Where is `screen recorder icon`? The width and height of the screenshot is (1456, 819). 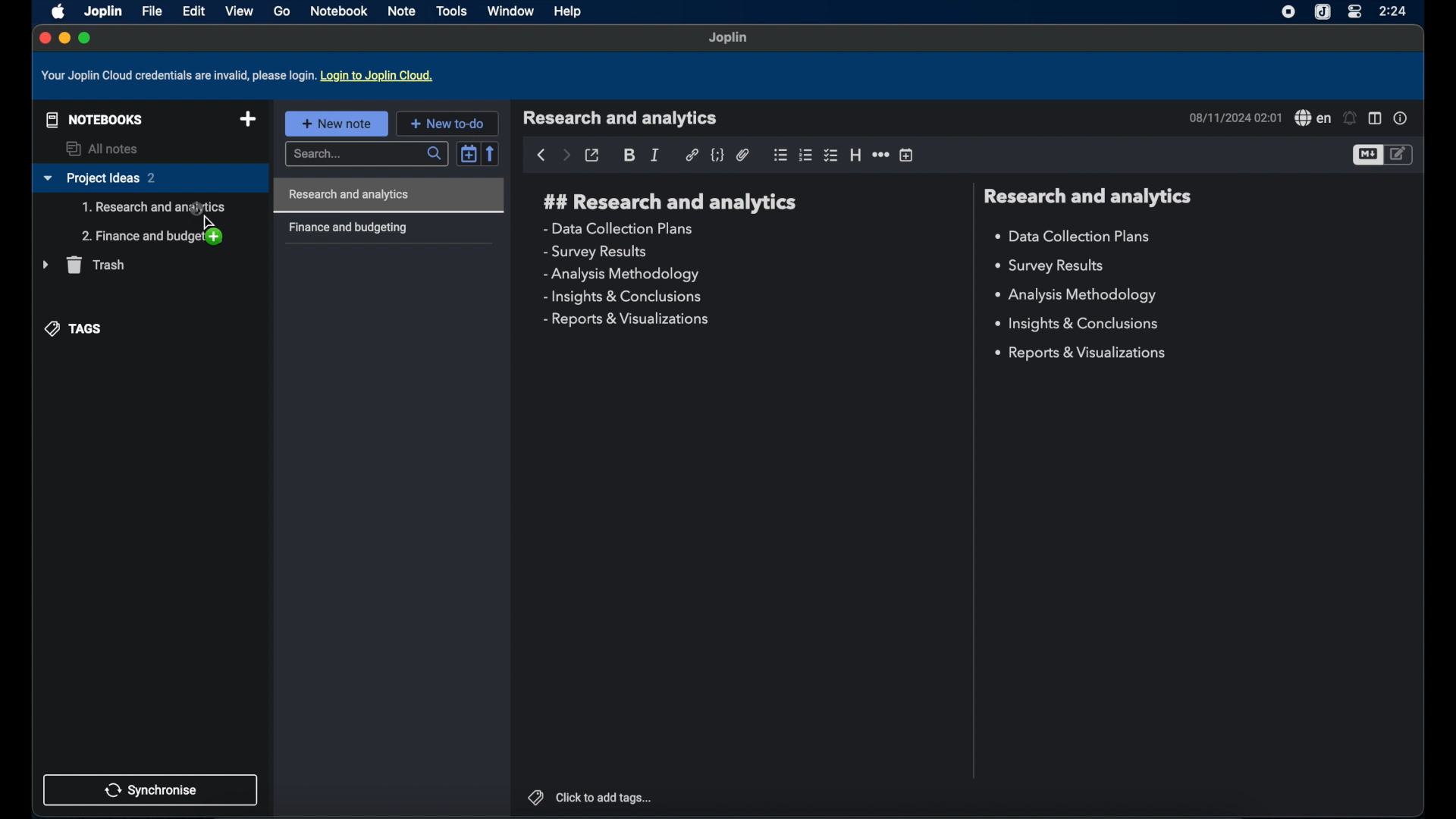 screen recorder icon is located at coordinates (1285, 12).